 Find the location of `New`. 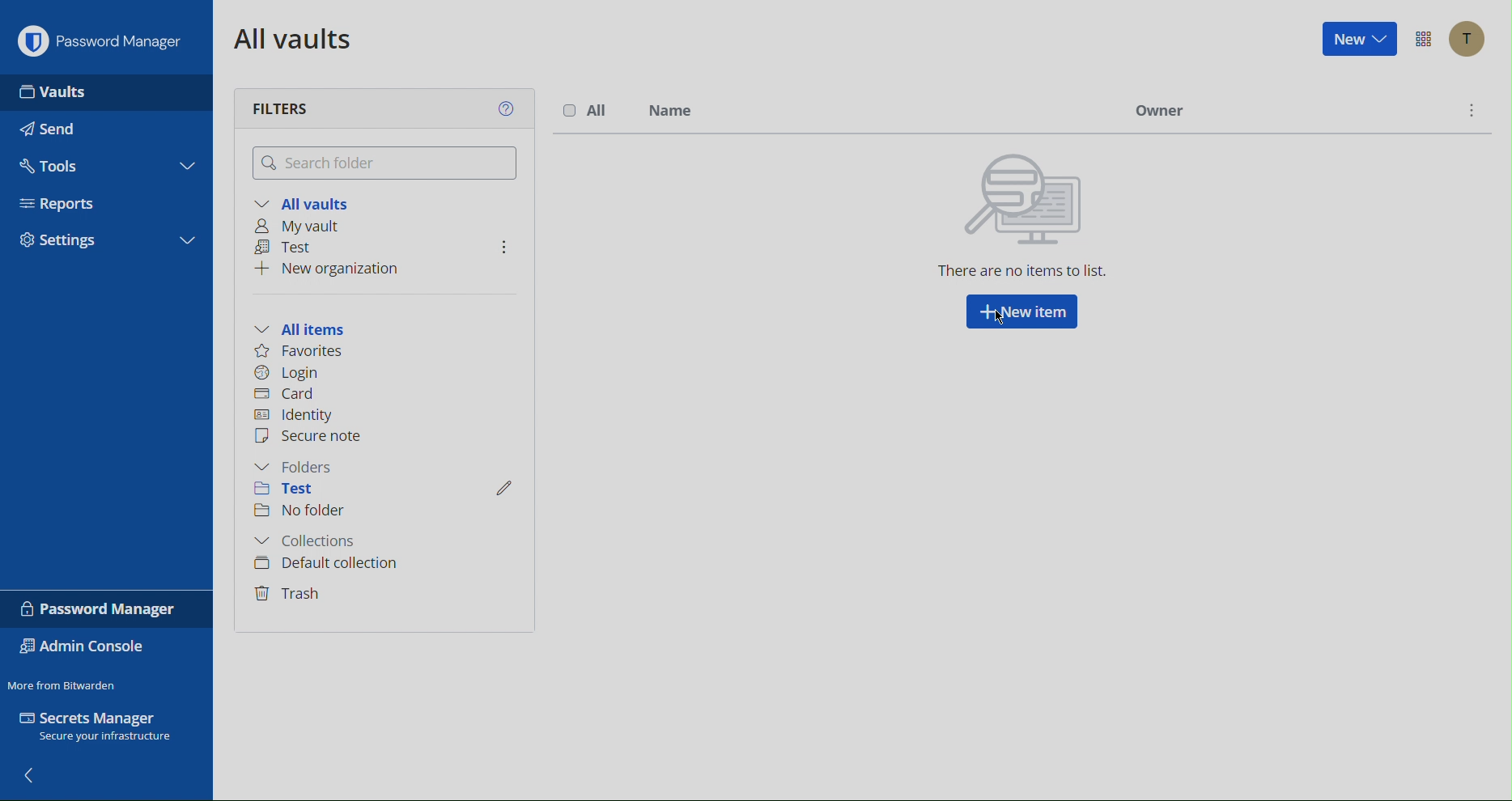

New is located at coordinates (1358, 38).